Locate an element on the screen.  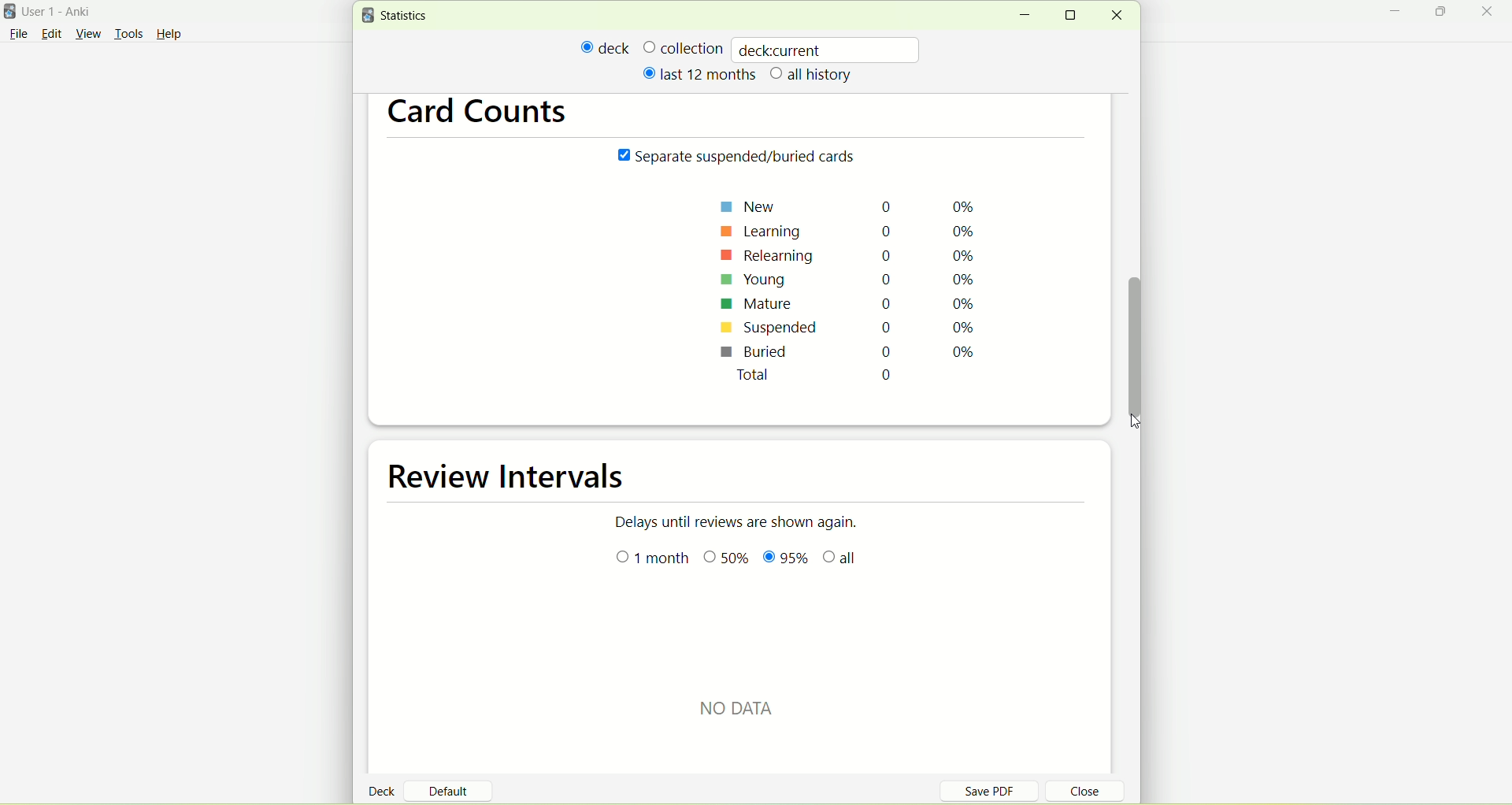
cursor is located at coordinates (1145, 423).